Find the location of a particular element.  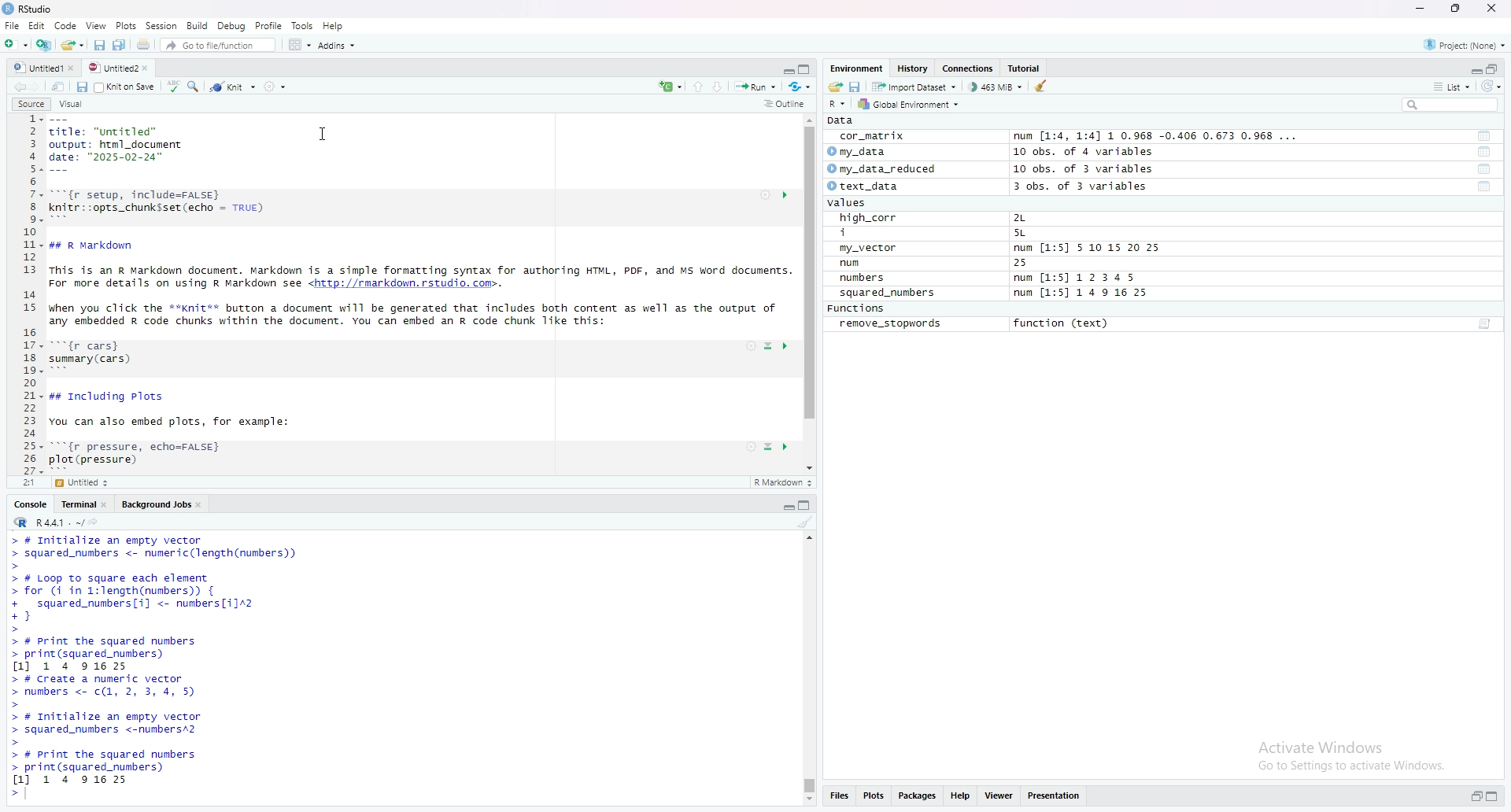

Run is located at coordinates (758, 87).